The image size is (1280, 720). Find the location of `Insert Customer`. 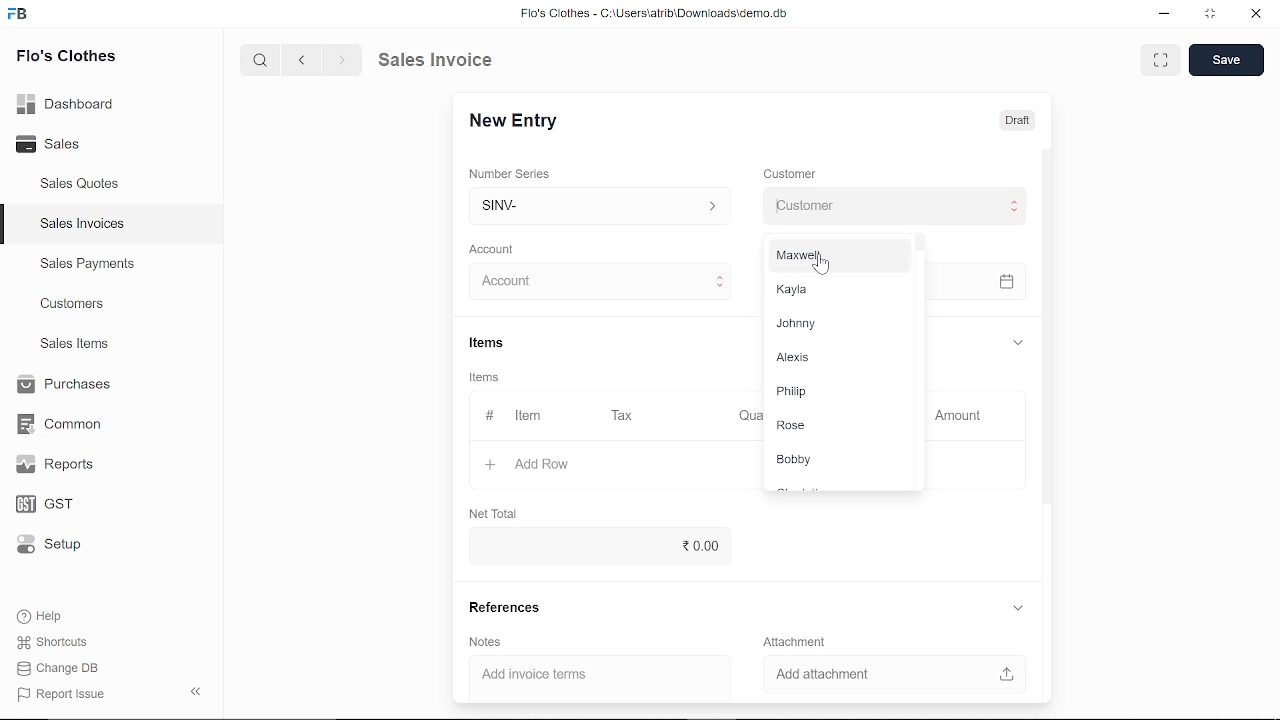

Insert Customer is located at coordinates (890, 206).